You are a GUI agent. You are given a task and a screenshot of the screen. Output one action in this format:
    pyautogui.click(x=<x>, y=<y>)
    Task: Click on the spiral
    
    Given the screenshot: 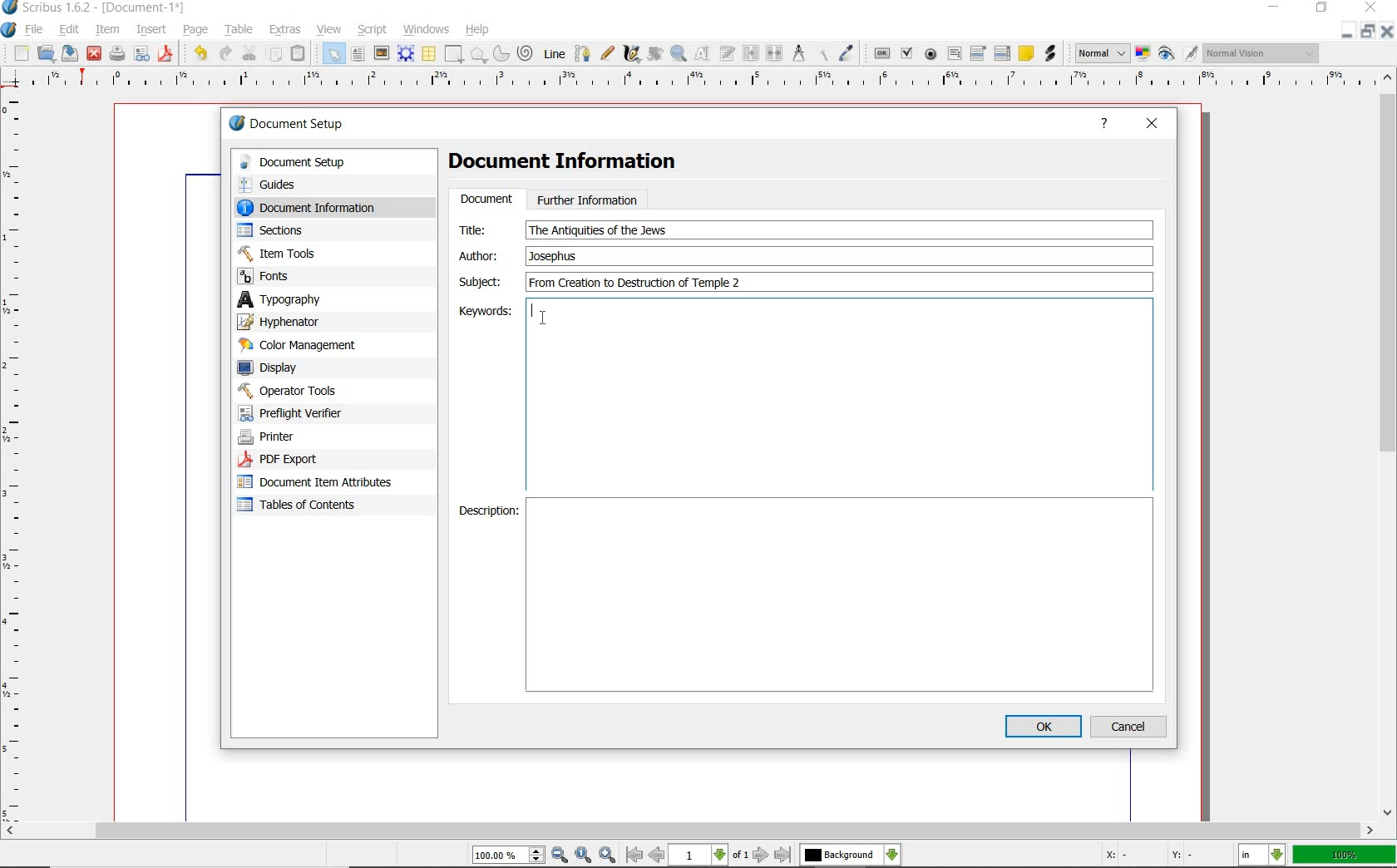 What is the action you would take?
    pyautogui.click(x=527, y=52)
    